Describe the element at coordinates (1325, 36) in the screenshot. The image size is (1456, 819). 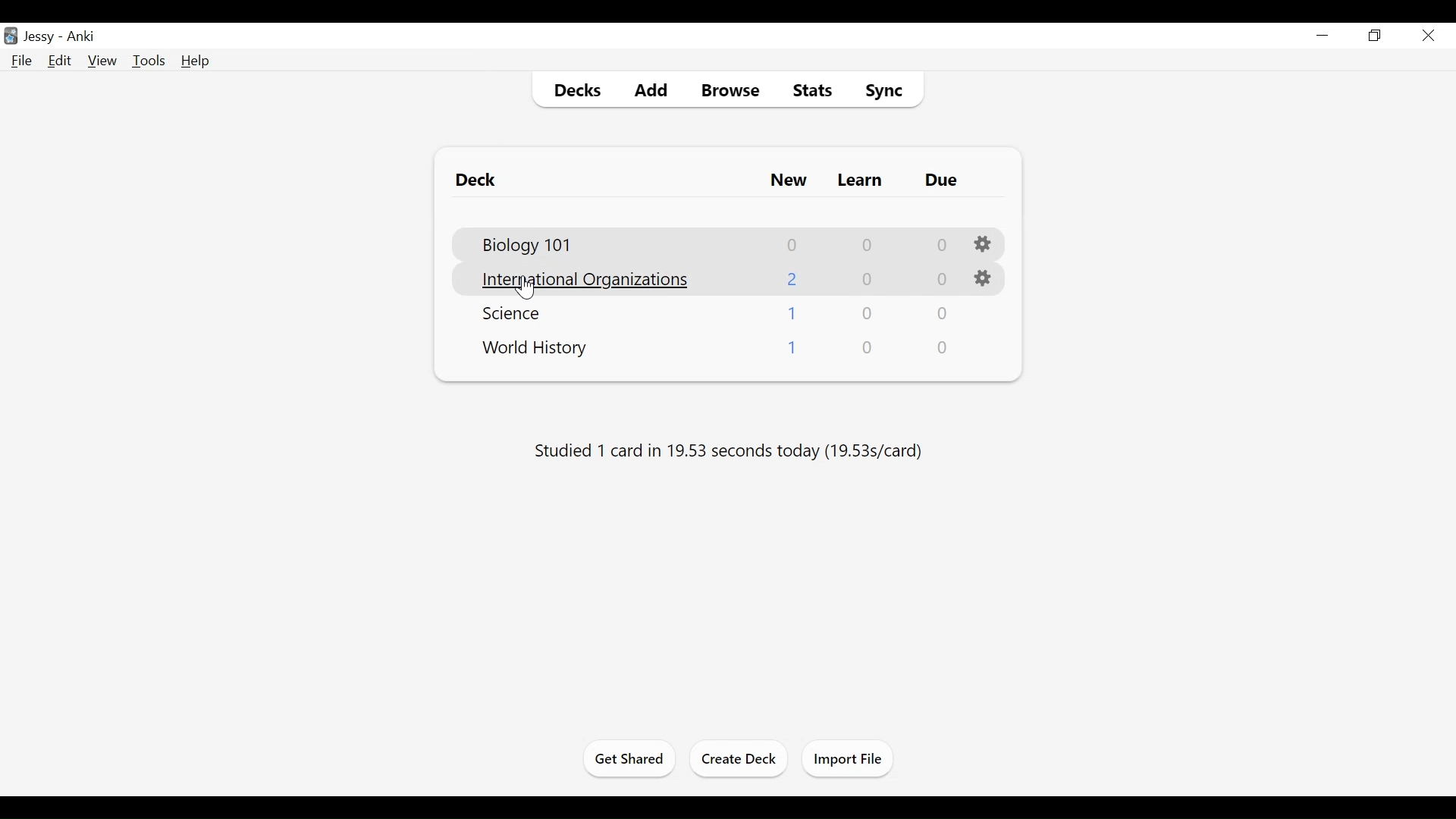
I see `minimize` at that location.